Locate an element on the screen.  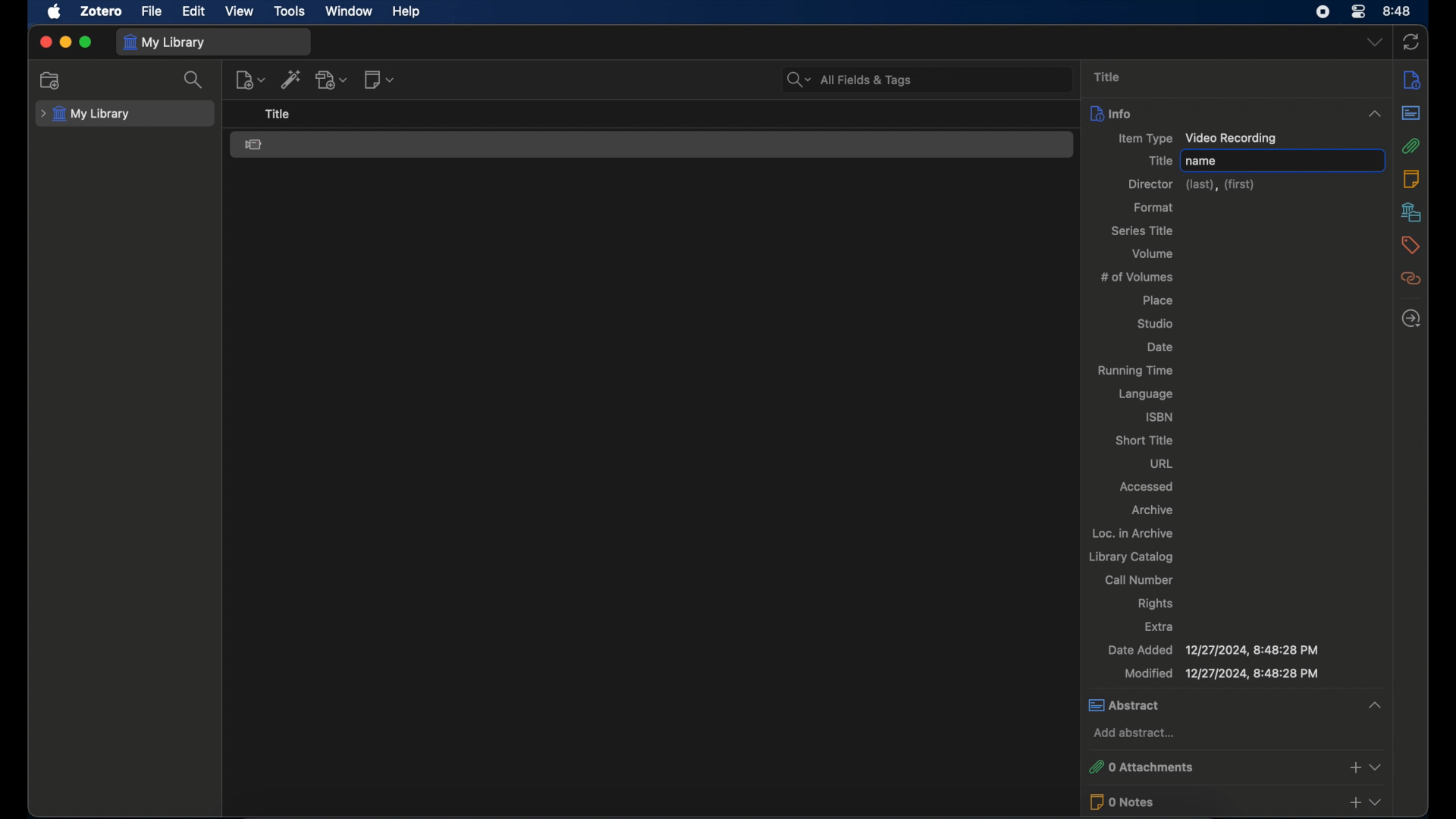
rl is located at coordinates (1162, 463).